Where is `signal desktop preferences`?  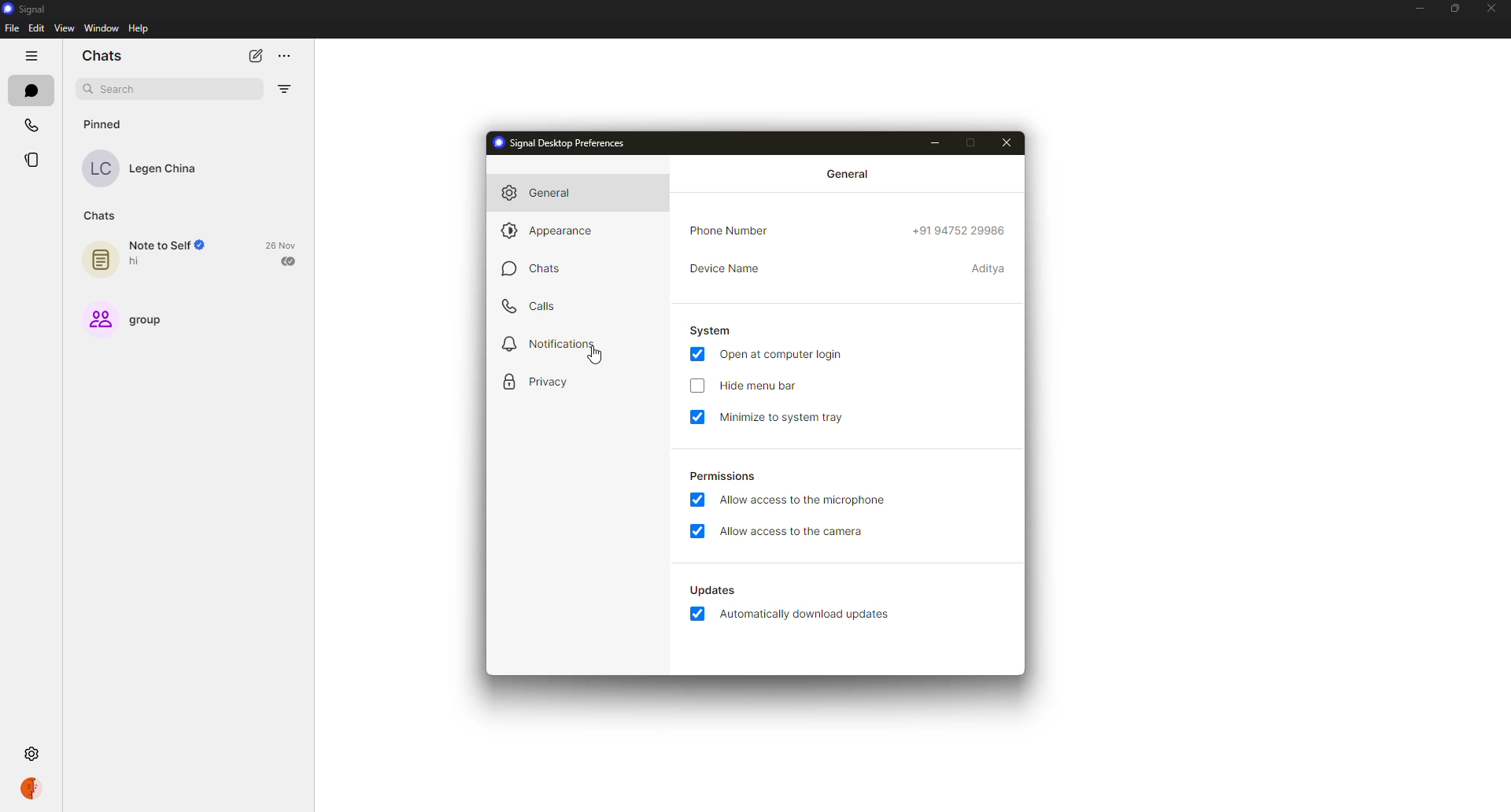 signal desktop preferences is located at coordinates (558, 145).